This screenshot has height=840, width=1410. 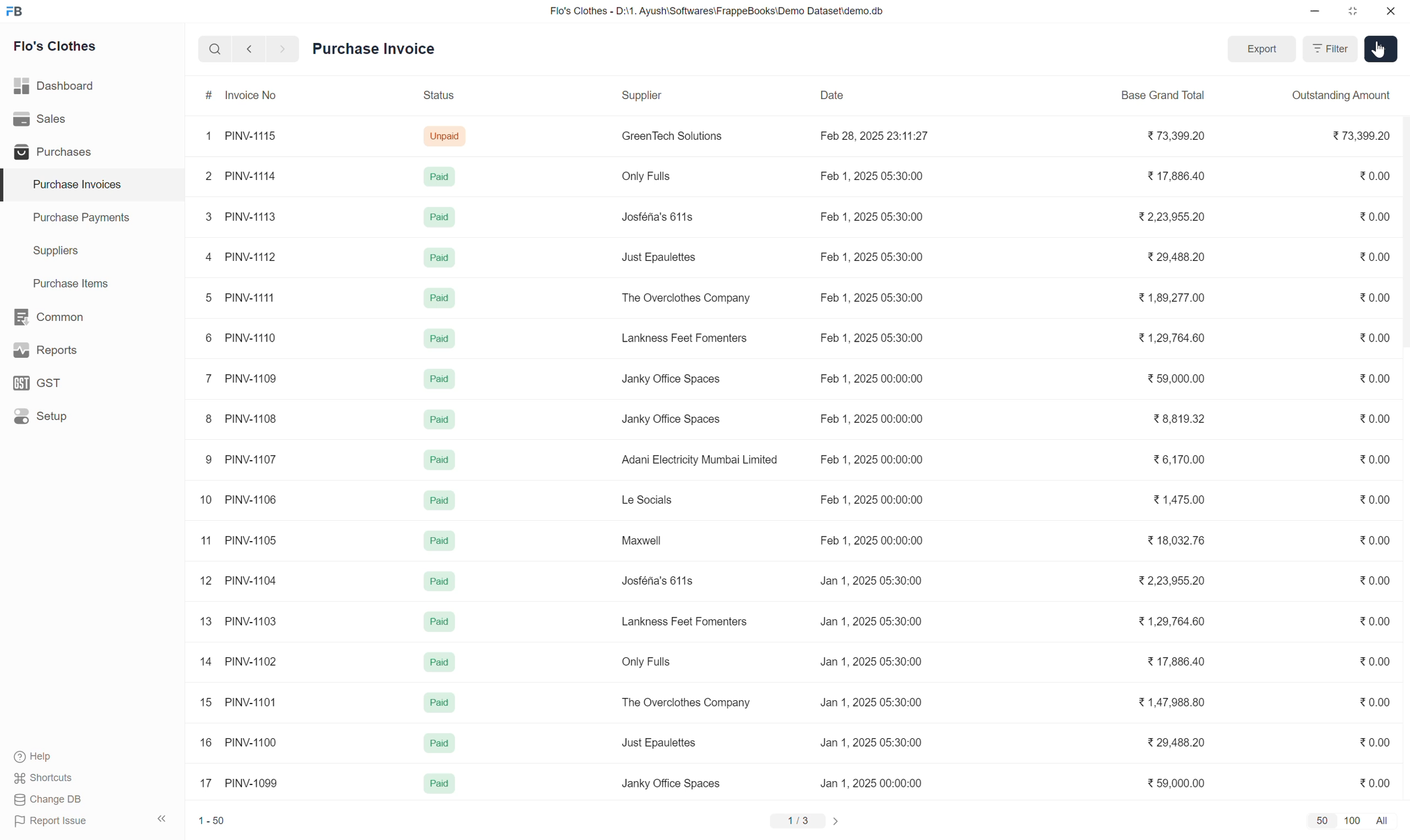 I want to click on PINV-1100, so click(x=252, y=740).